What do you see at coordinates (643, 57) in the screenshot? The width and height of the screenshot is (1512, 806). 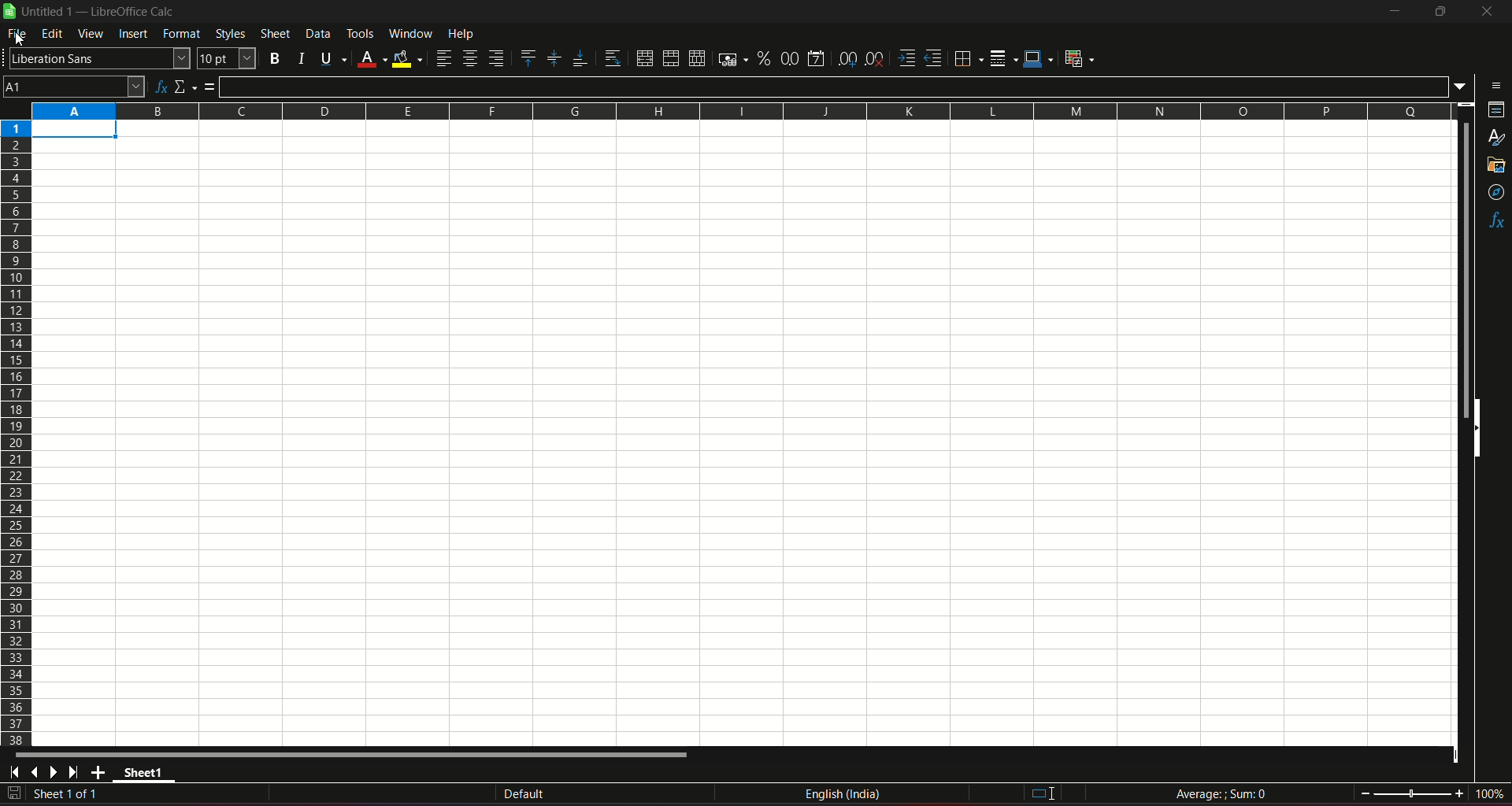 I see `merge and center` at bounding box center [643, 57].